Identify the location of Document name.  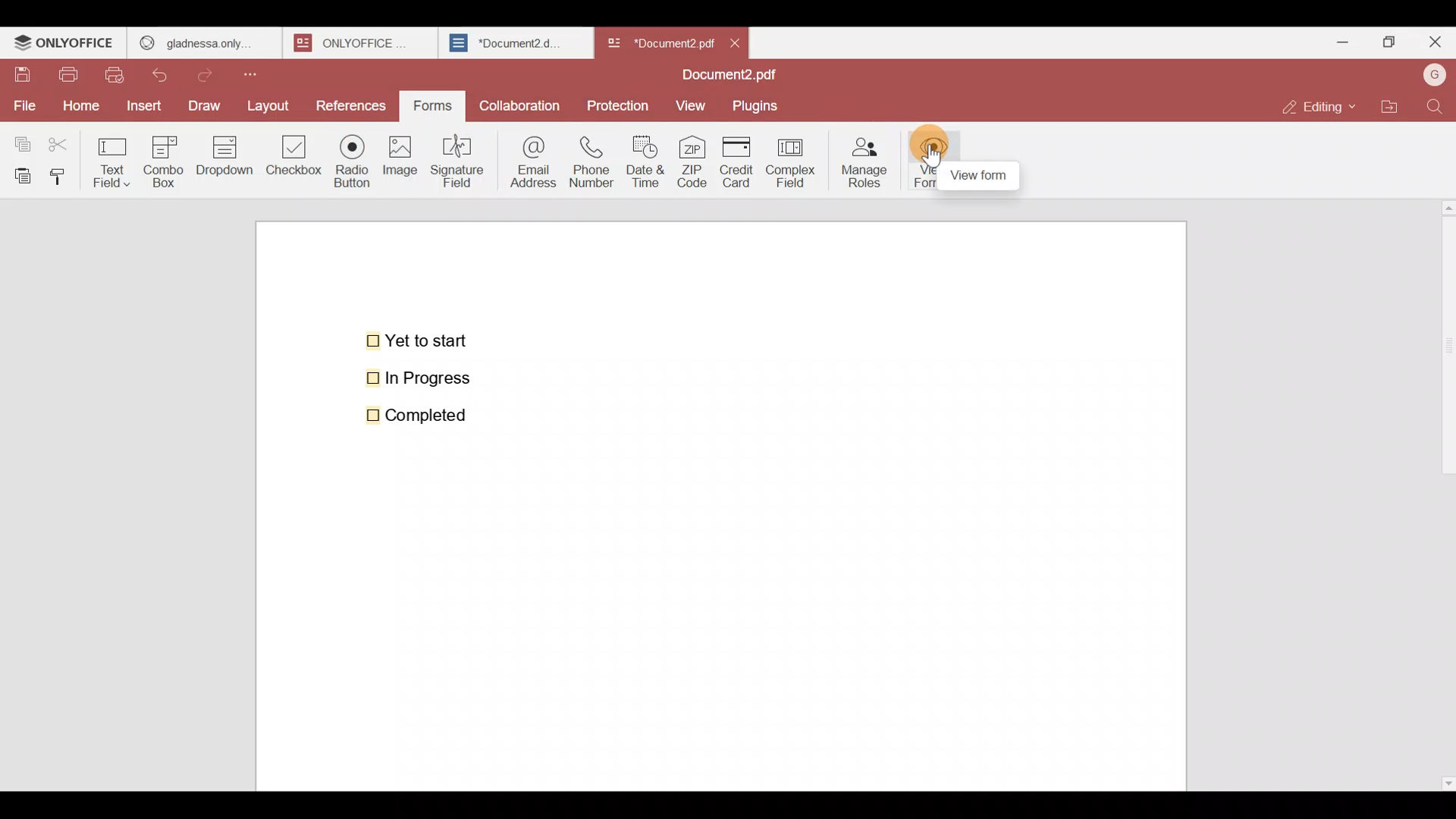
(659, 39).